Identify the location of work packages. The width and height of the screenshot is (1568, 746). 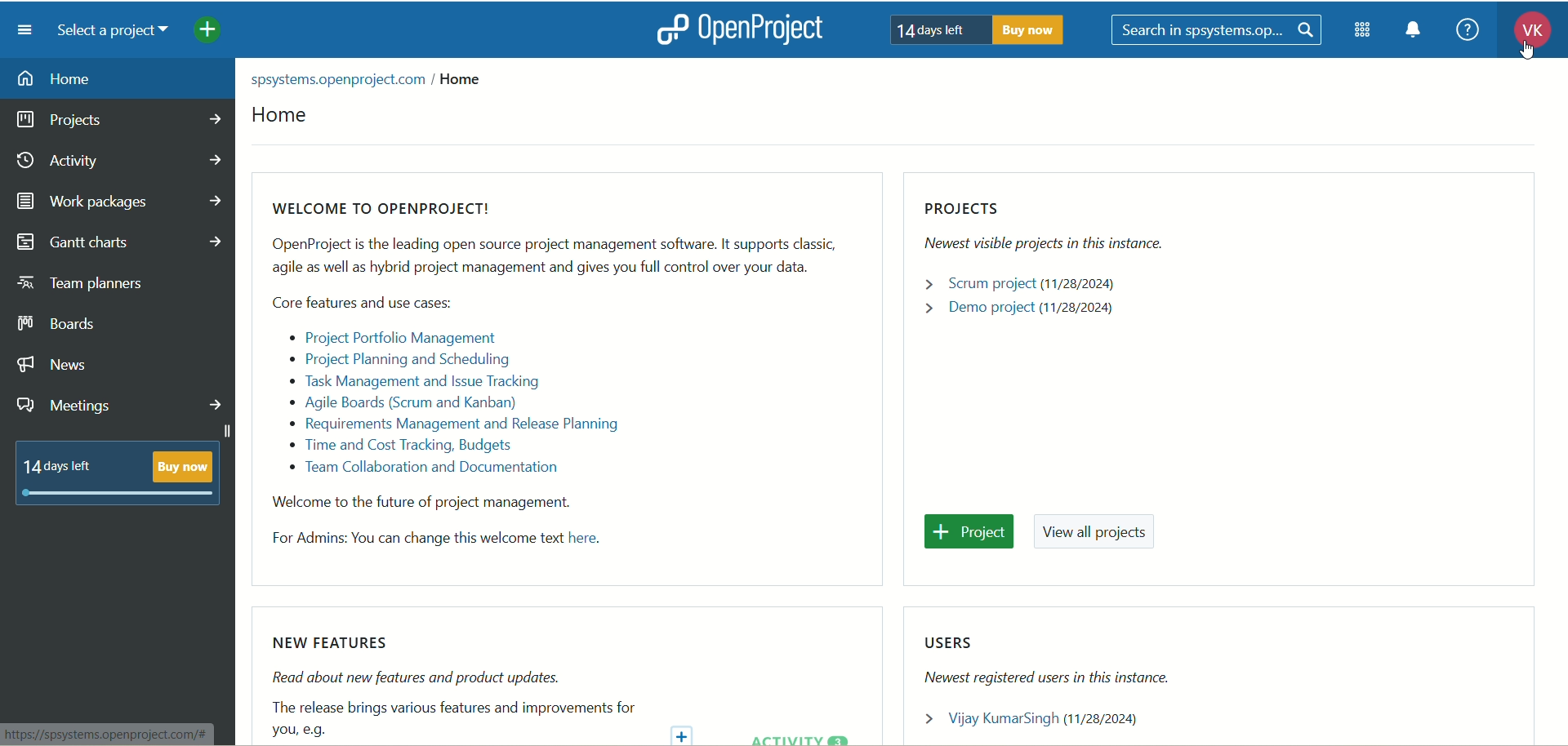
(119, 202).